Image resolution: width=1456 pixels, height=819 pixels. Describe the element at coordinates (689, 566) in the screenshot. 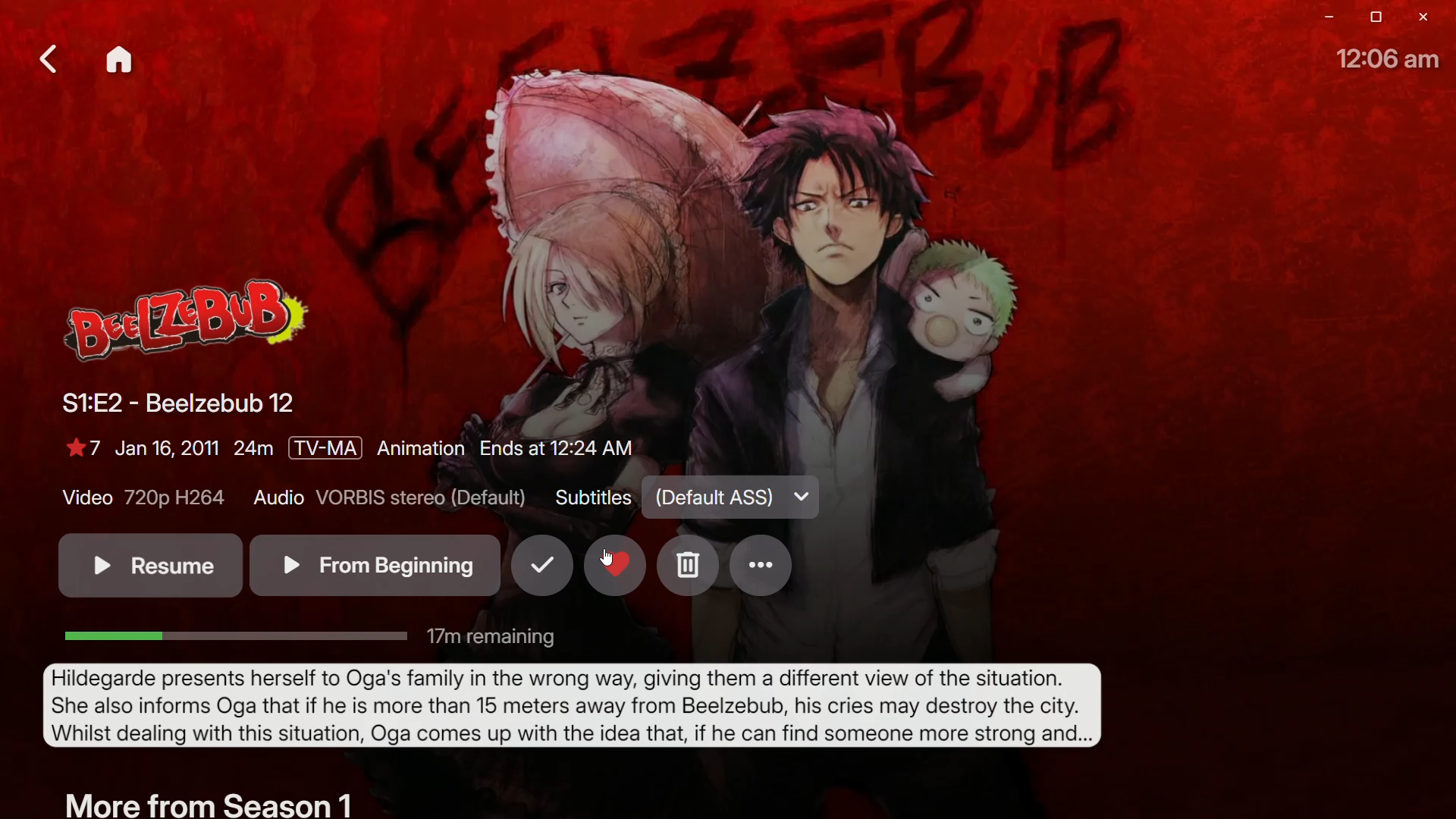

I see `Delete` at that location.